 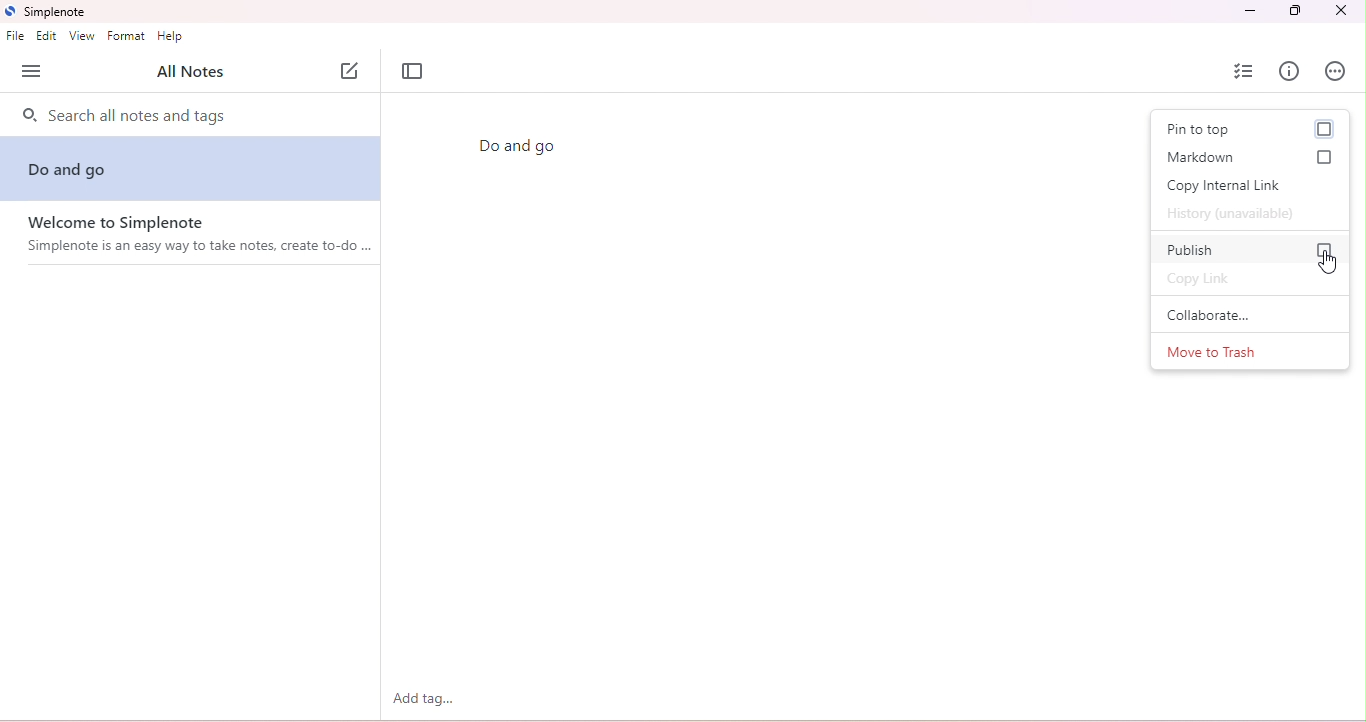 I want to click on minimize, so click(x=1248, y=11).